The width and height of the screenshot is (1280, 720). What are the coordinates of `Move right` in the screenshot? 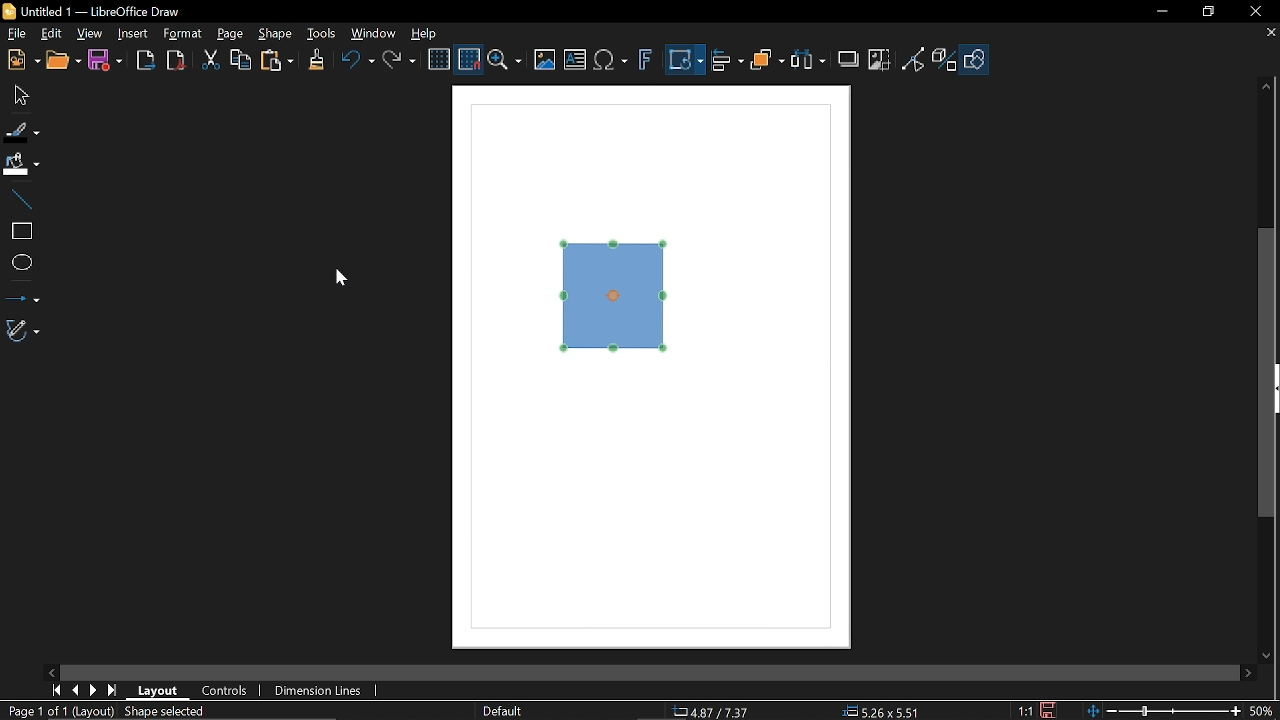 It's located at (1245, 673).